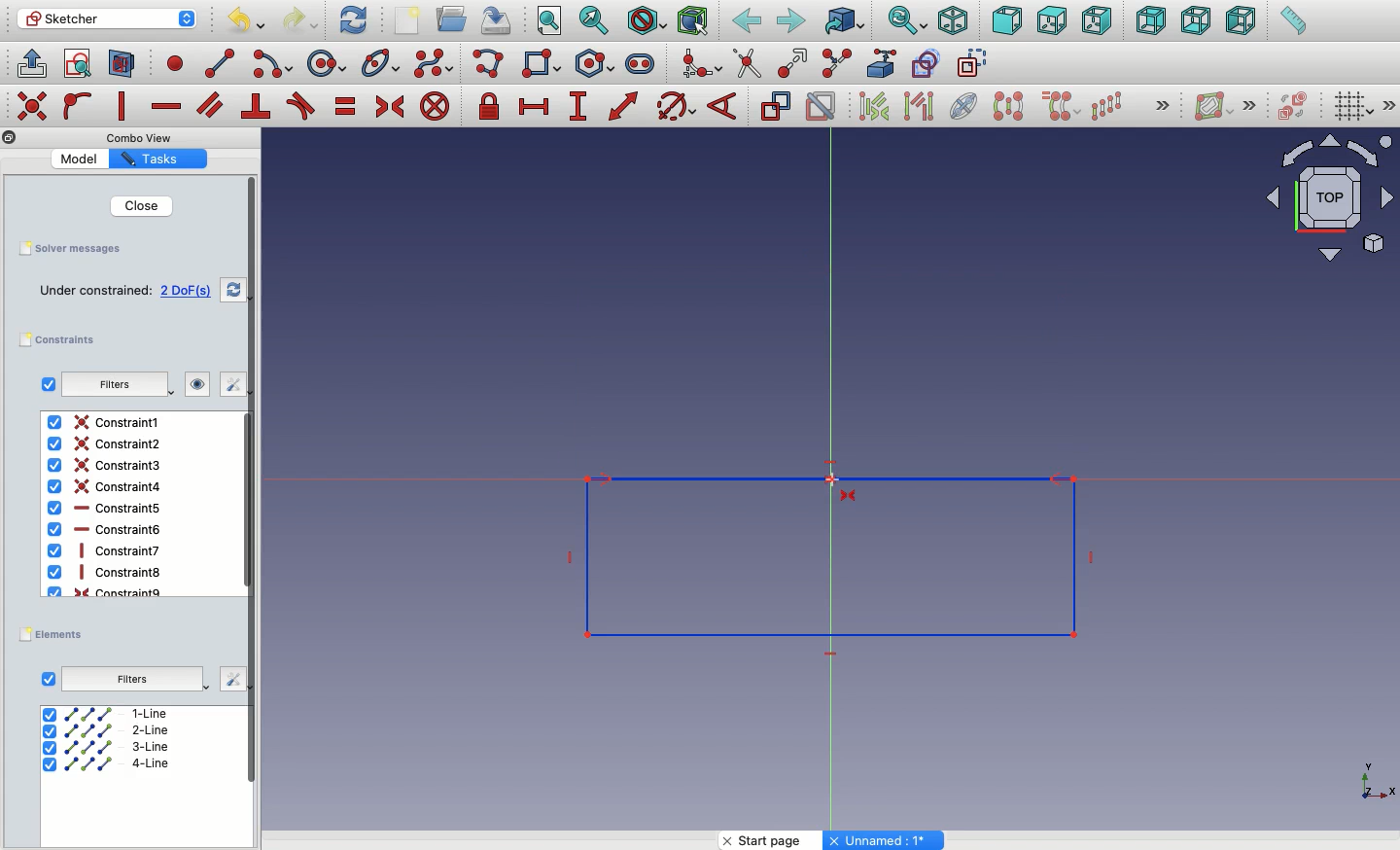 Image resolution: width=1400 pixels, height=850 pixels. What do you see at coordinates (249, 23) in the screenshot?
I see `Undo` at bounding box center [249, 23].